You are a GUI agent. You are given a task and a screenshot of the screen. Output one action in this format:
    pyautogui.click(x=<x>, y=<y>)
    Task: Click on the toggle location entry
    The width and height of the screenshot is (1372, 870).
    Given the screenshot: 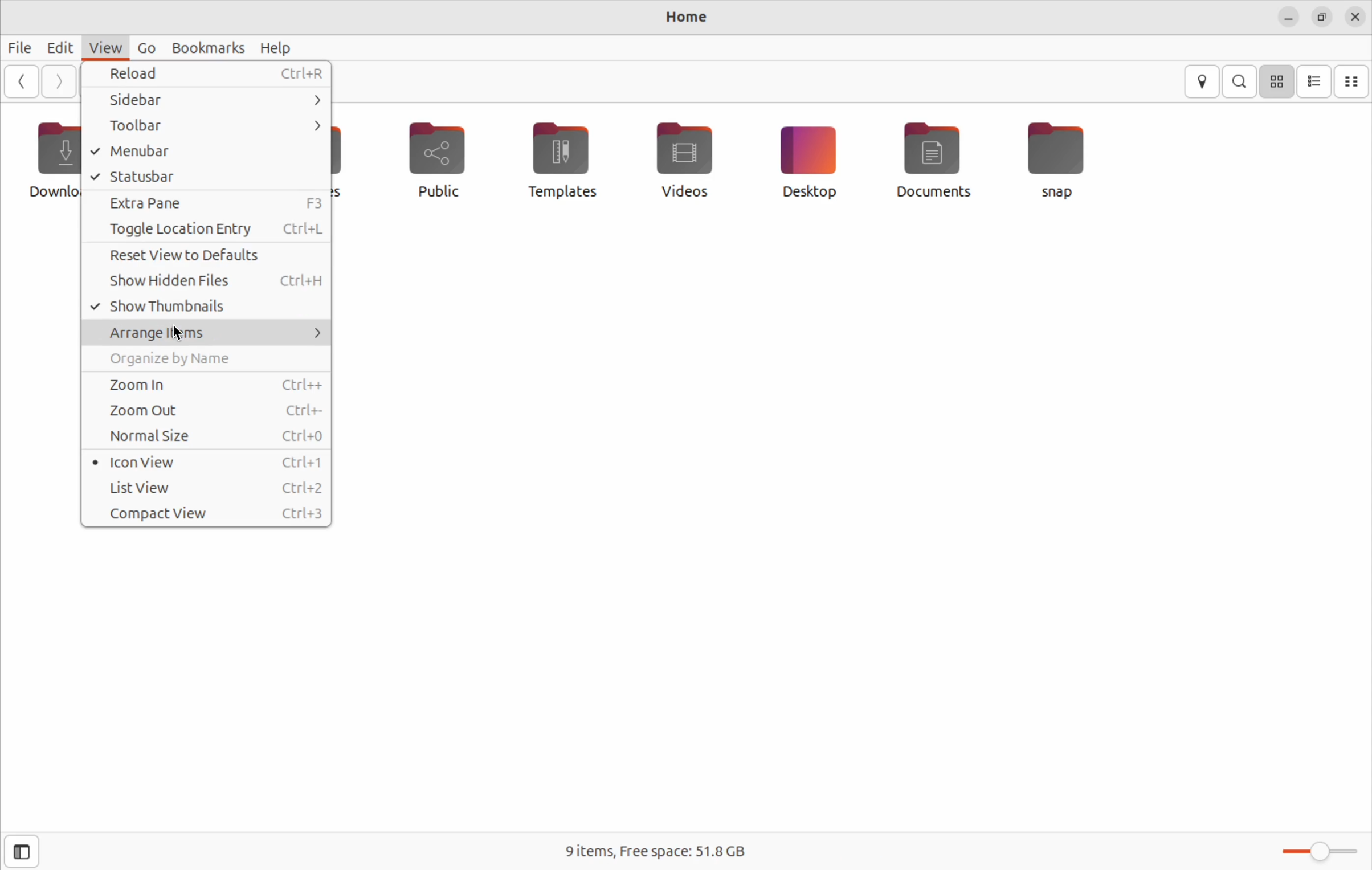 What is the action you would take?
    pyautogui.click(x=208, y=230)
    